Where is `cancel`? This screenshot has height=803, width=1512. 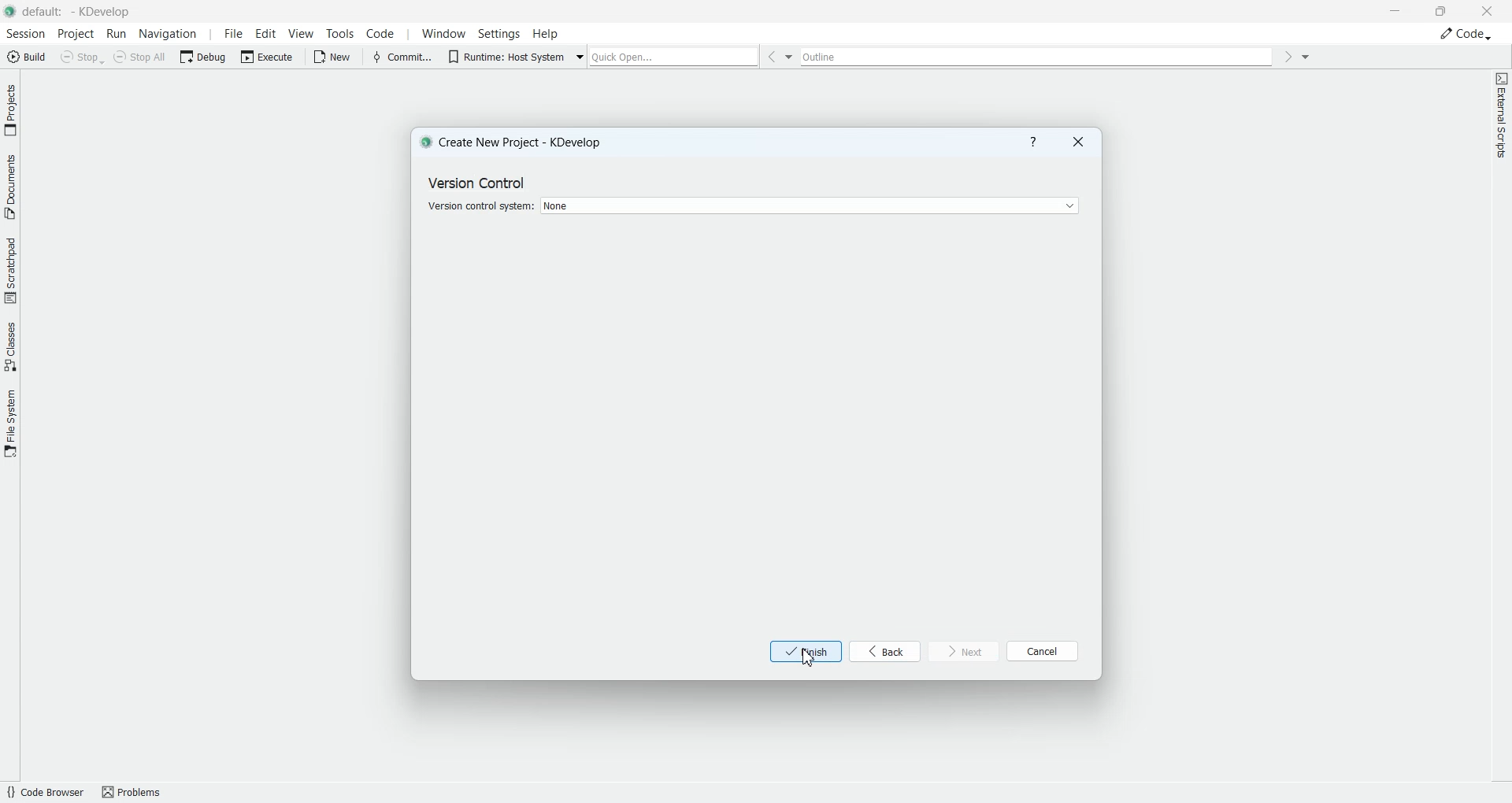 cancel is located at coordinates (1043, 649).